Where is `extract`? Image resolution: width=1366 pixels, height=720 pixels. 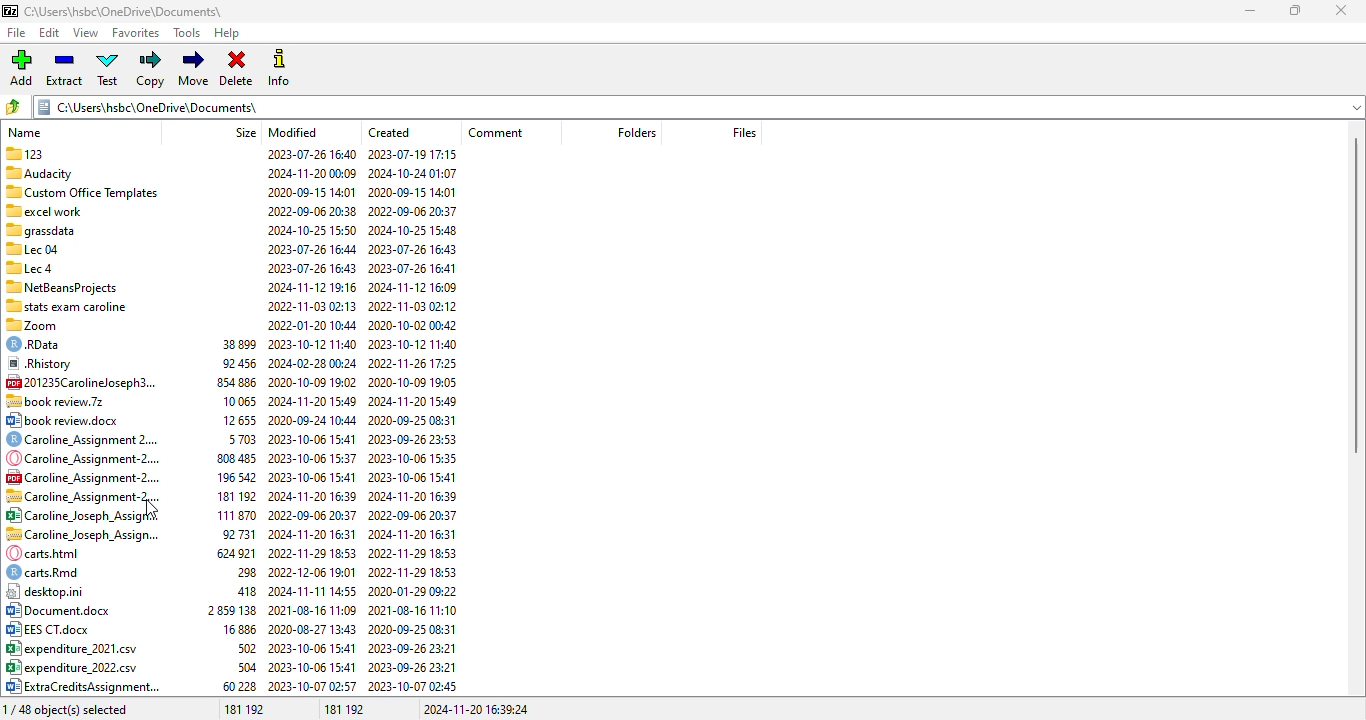 extract is located at coordinates (65, 68).